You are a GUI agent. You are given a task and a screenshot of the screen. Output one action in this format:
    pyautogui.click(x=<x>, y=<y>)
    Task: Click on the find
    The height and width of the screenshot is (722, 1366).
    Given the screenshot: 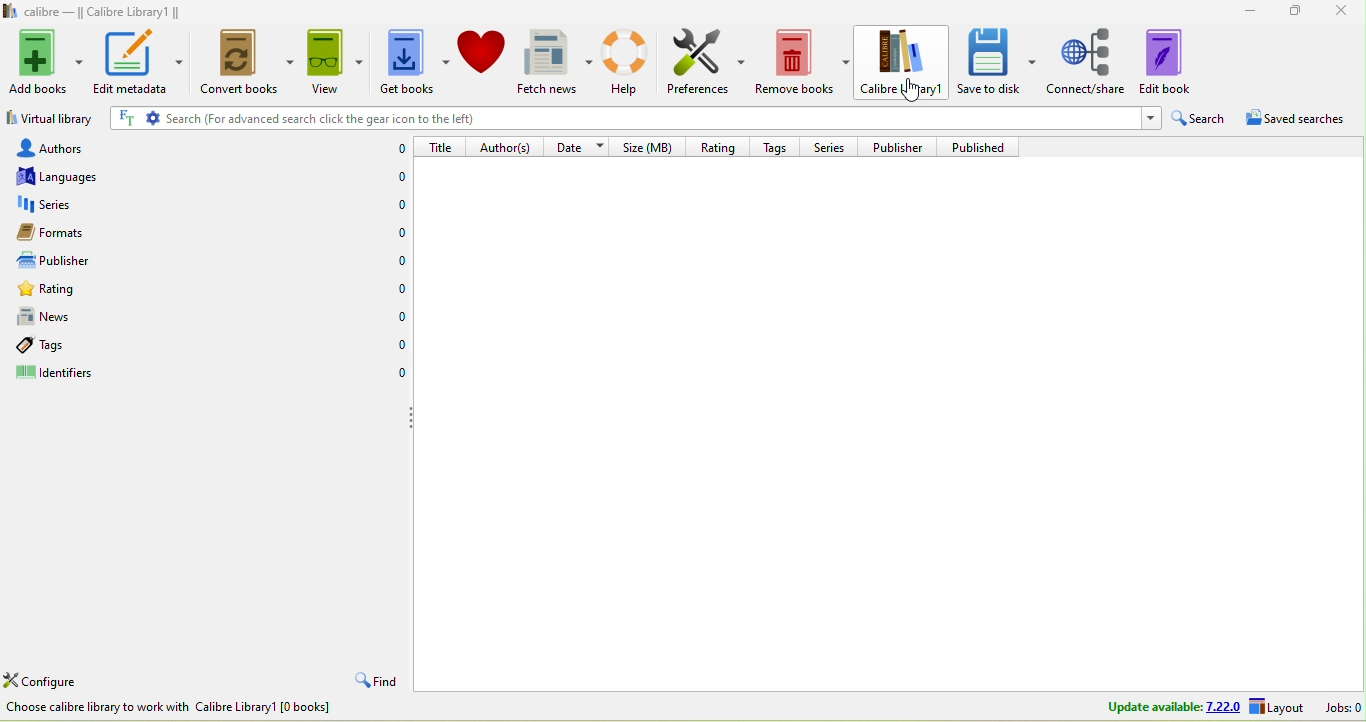 What is the action you would take?
    pyautogui.click(x=373, y=682)
    